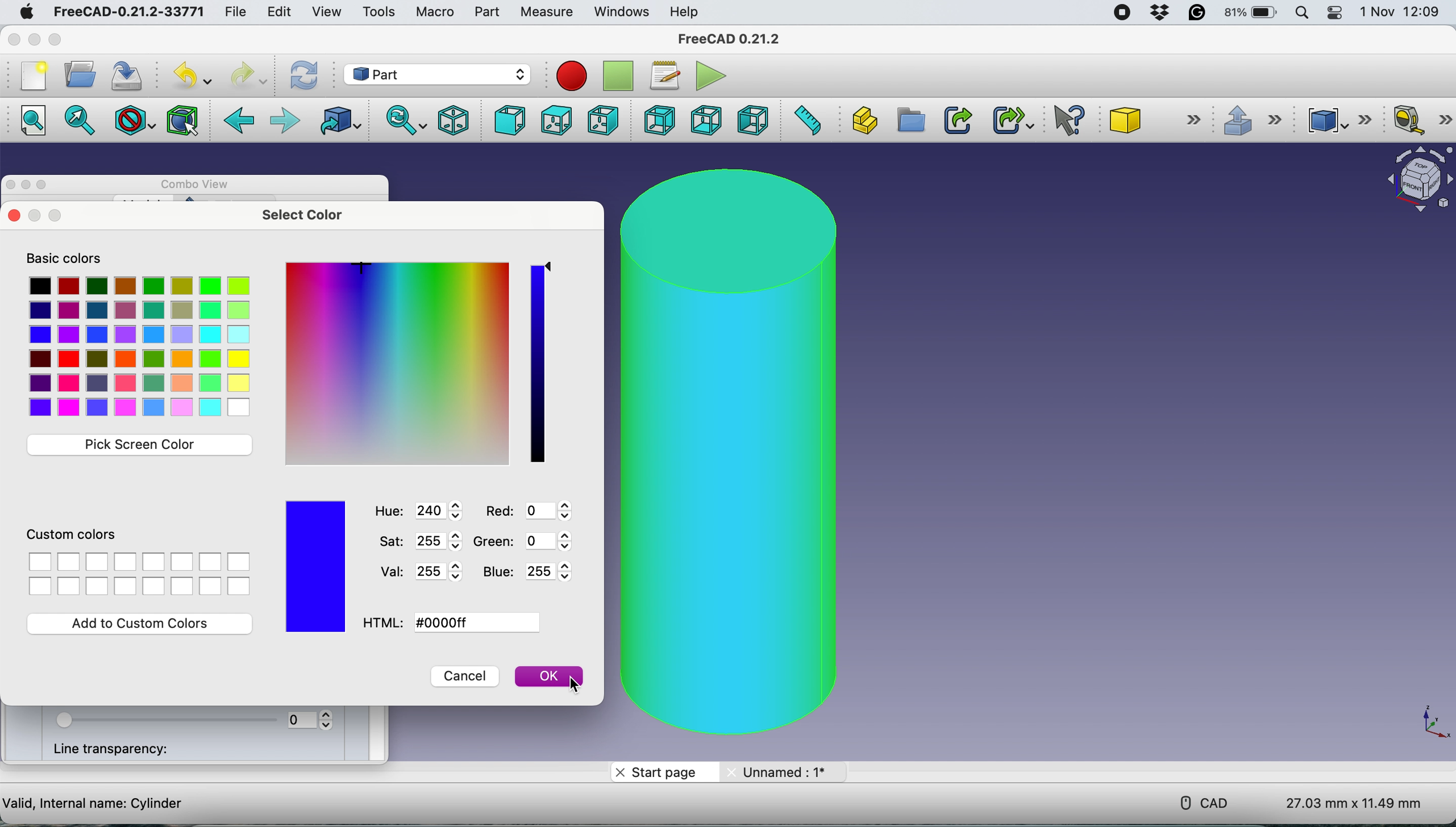 The image size is (1456, 827). What do you see at coordinates (140, 445) in the screenshot?
I see `pick screen color` at bounding box center [140, 445].